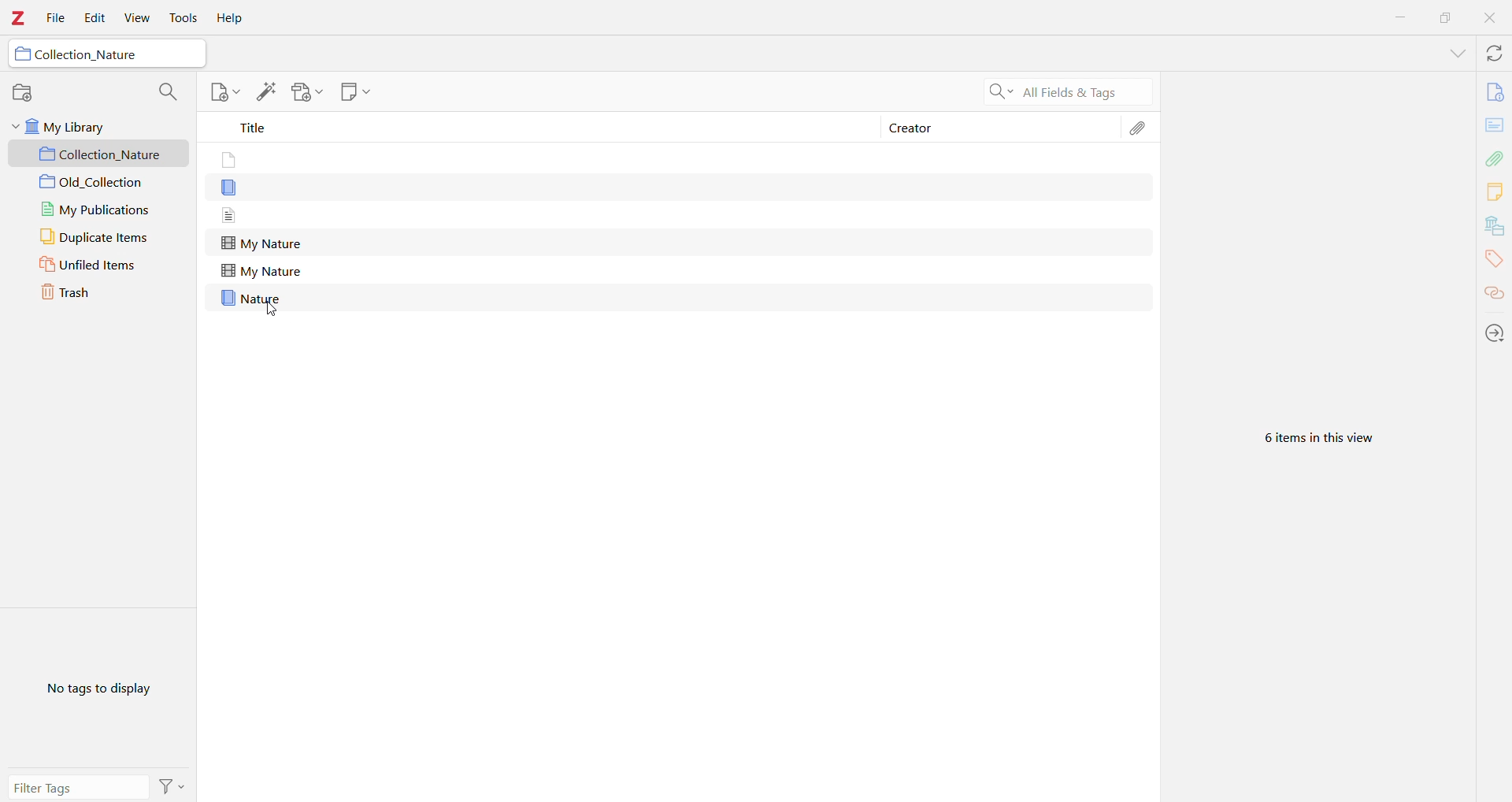  What do you see at coordinates (228, 19) in the screenshot?
I see `Help` at bounding box center [228, 19].